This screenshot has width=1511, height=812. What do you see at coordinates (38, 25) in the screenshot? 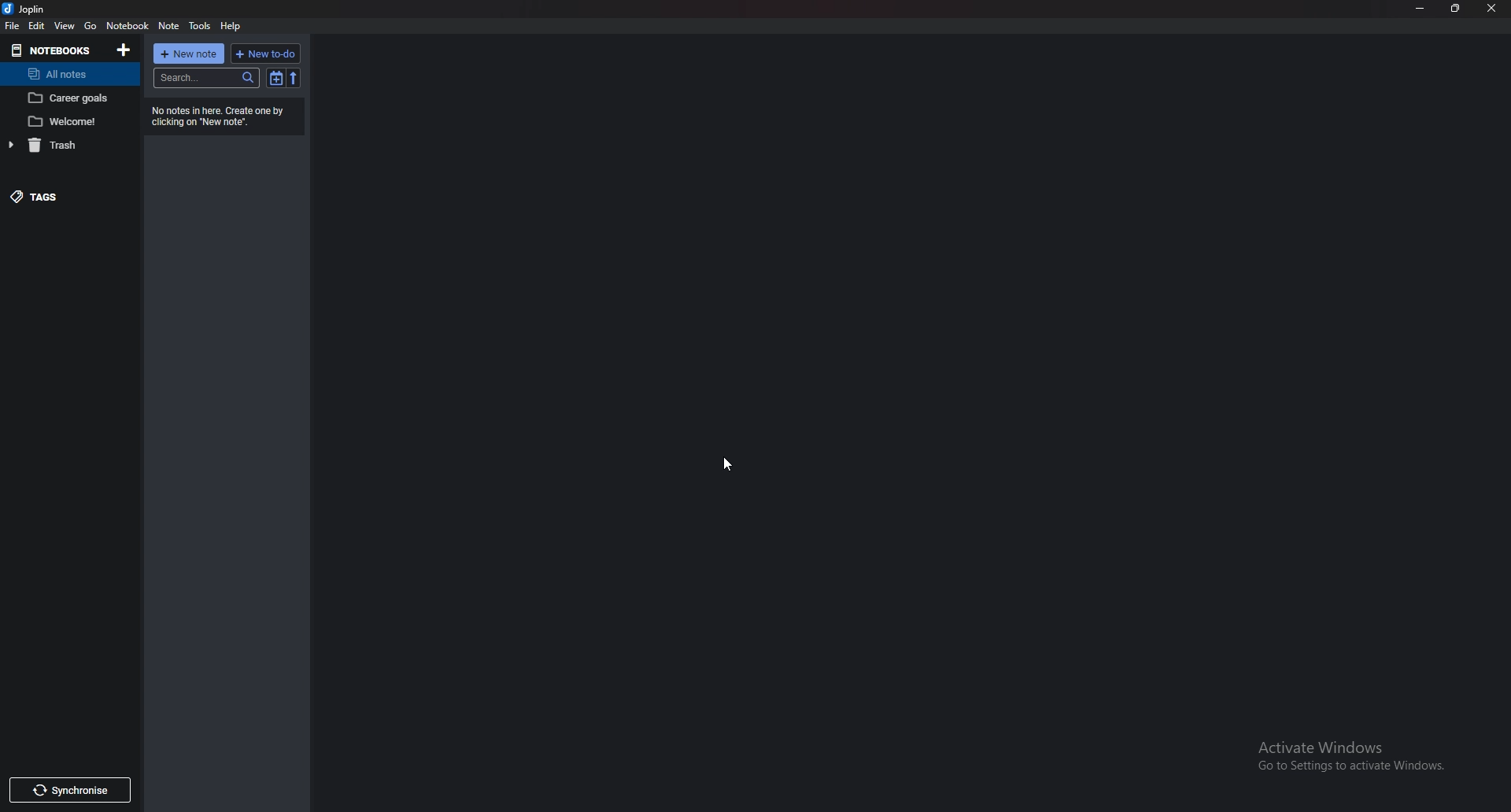
I see `edit` at bounding box center [38, 25].